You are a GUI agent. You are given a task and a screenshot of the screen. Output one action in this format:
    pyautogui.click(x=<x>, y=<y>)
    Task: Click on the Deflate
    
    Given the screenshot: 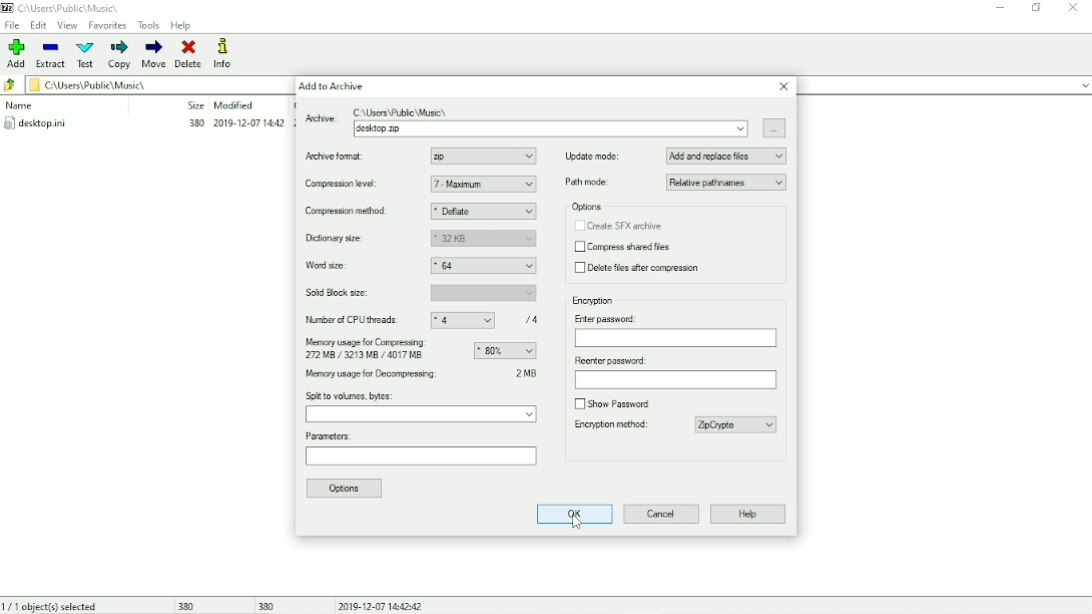 What is the action you would take?
    pyautogui.click(x=484, y=212)
    